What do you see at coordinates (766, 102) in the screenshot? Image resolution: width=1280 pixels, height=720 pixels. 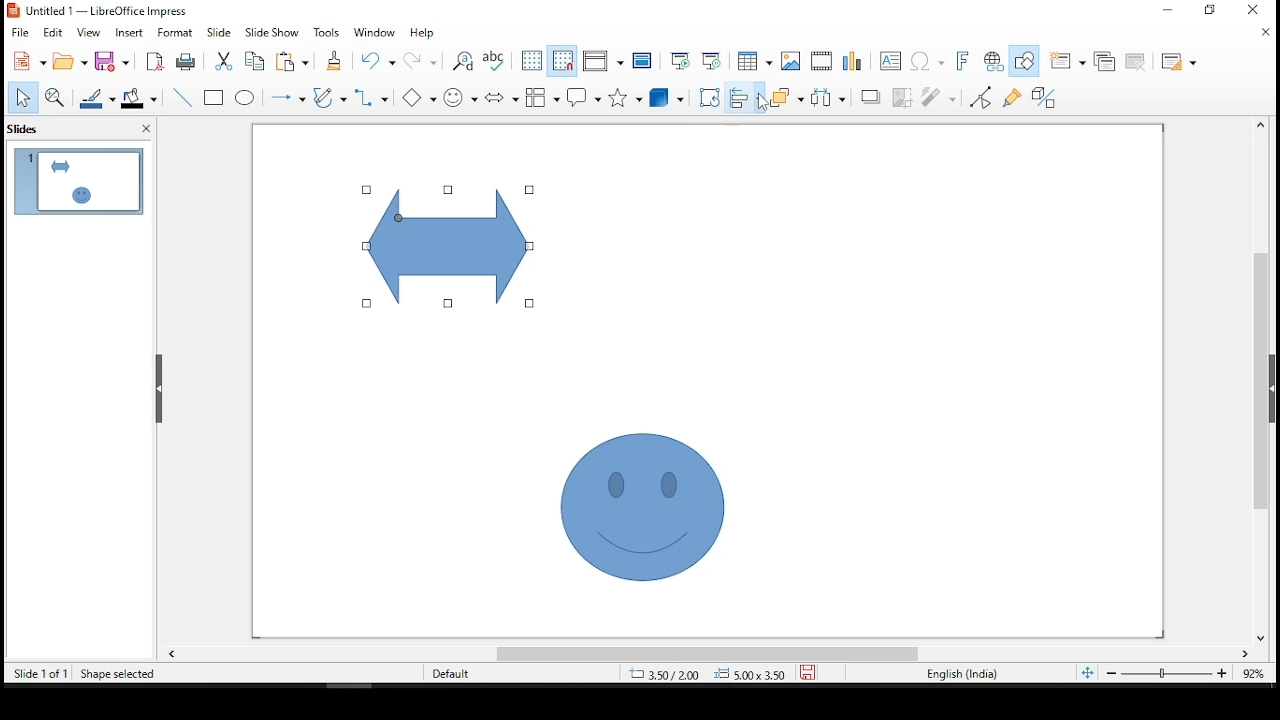 I see `mouse pointer` at bounding box center [766, 102].